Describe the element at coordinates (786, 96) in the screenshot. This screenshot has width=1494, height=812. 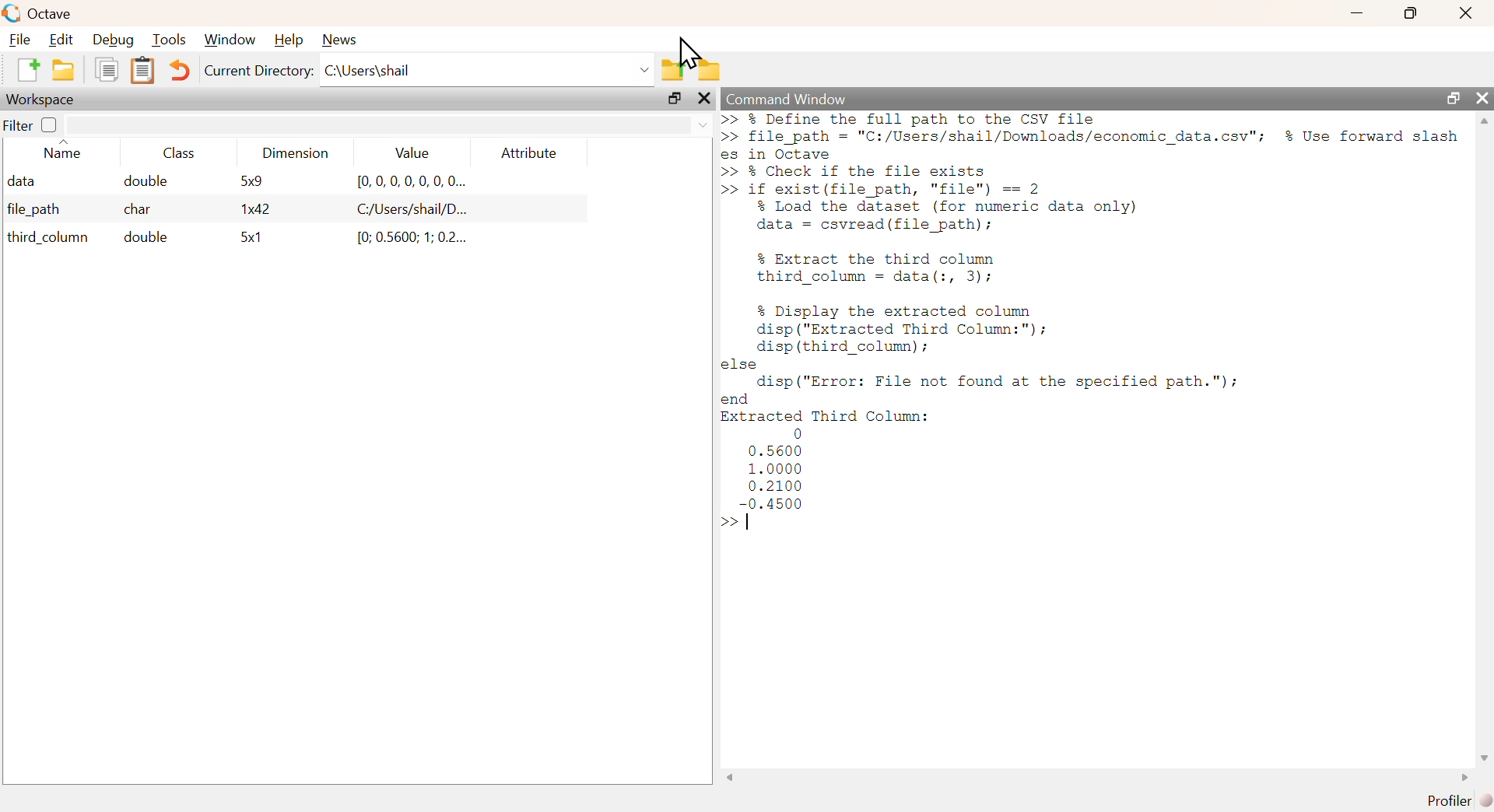
I see `Command Window` at that location.